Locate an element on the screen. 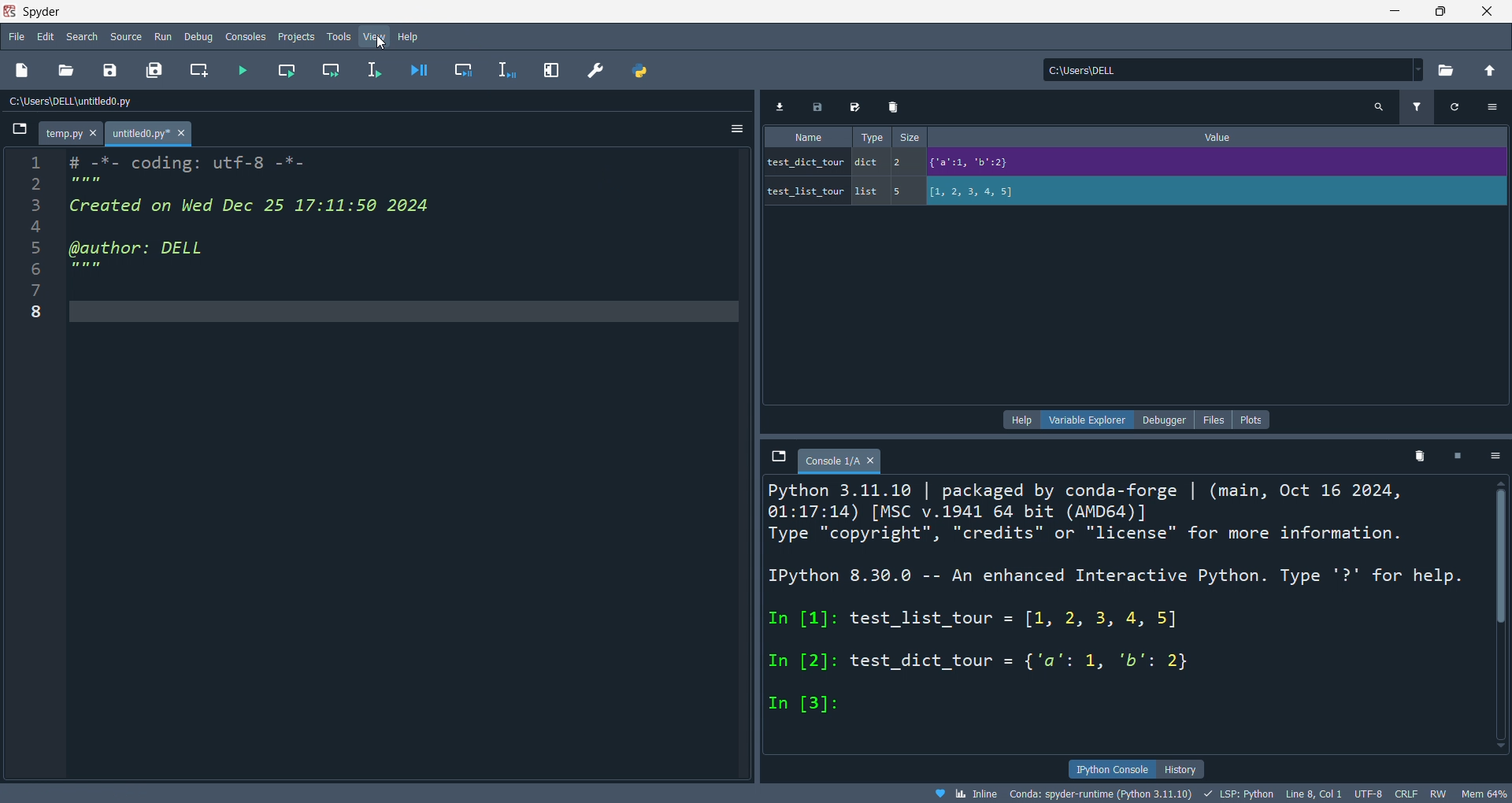 The height and width of the screenshot is (803, 1512). projects is located at coordinates (295, 35).